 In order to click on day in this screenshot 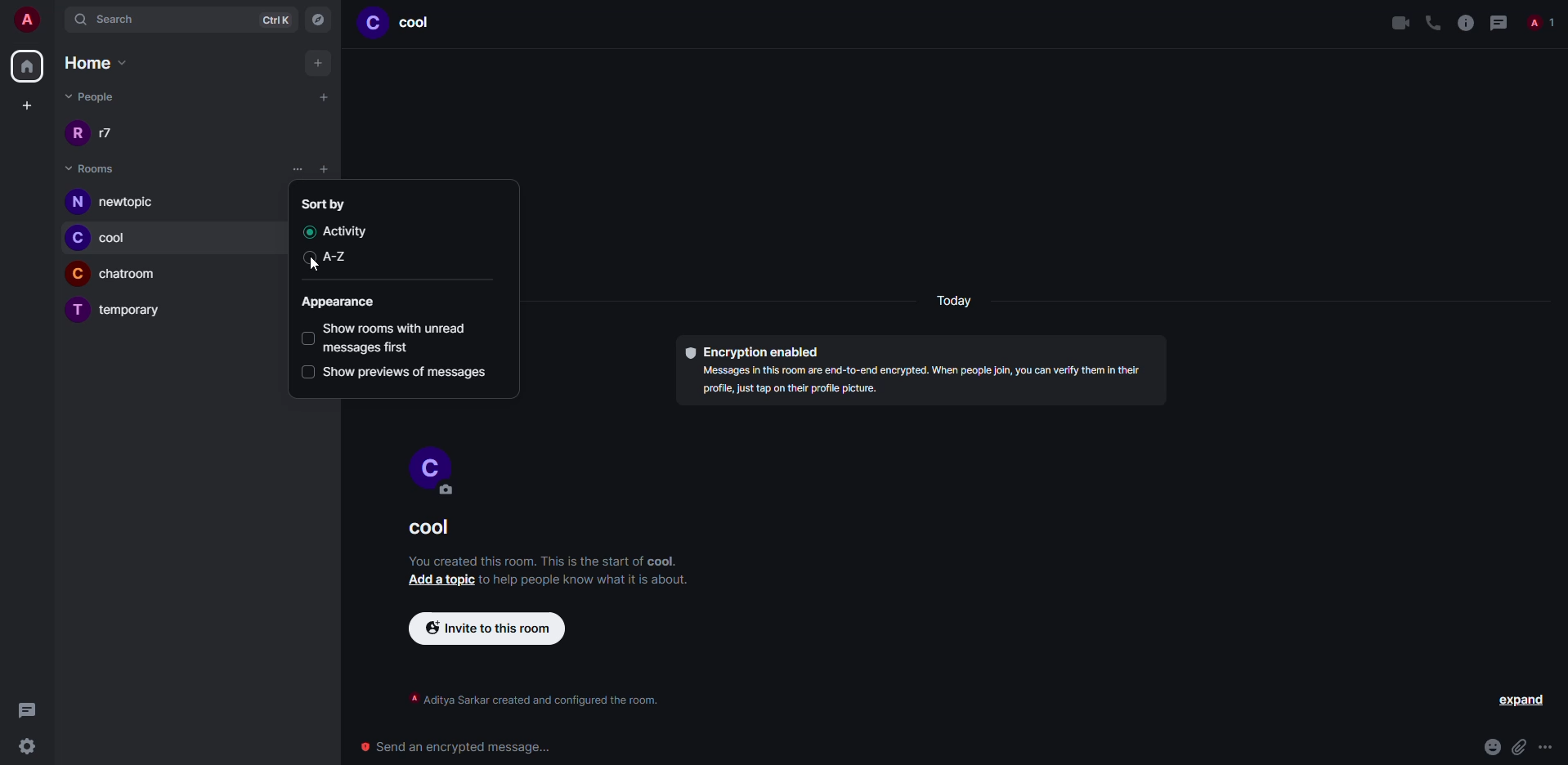, I will do `click(961, 302)`.